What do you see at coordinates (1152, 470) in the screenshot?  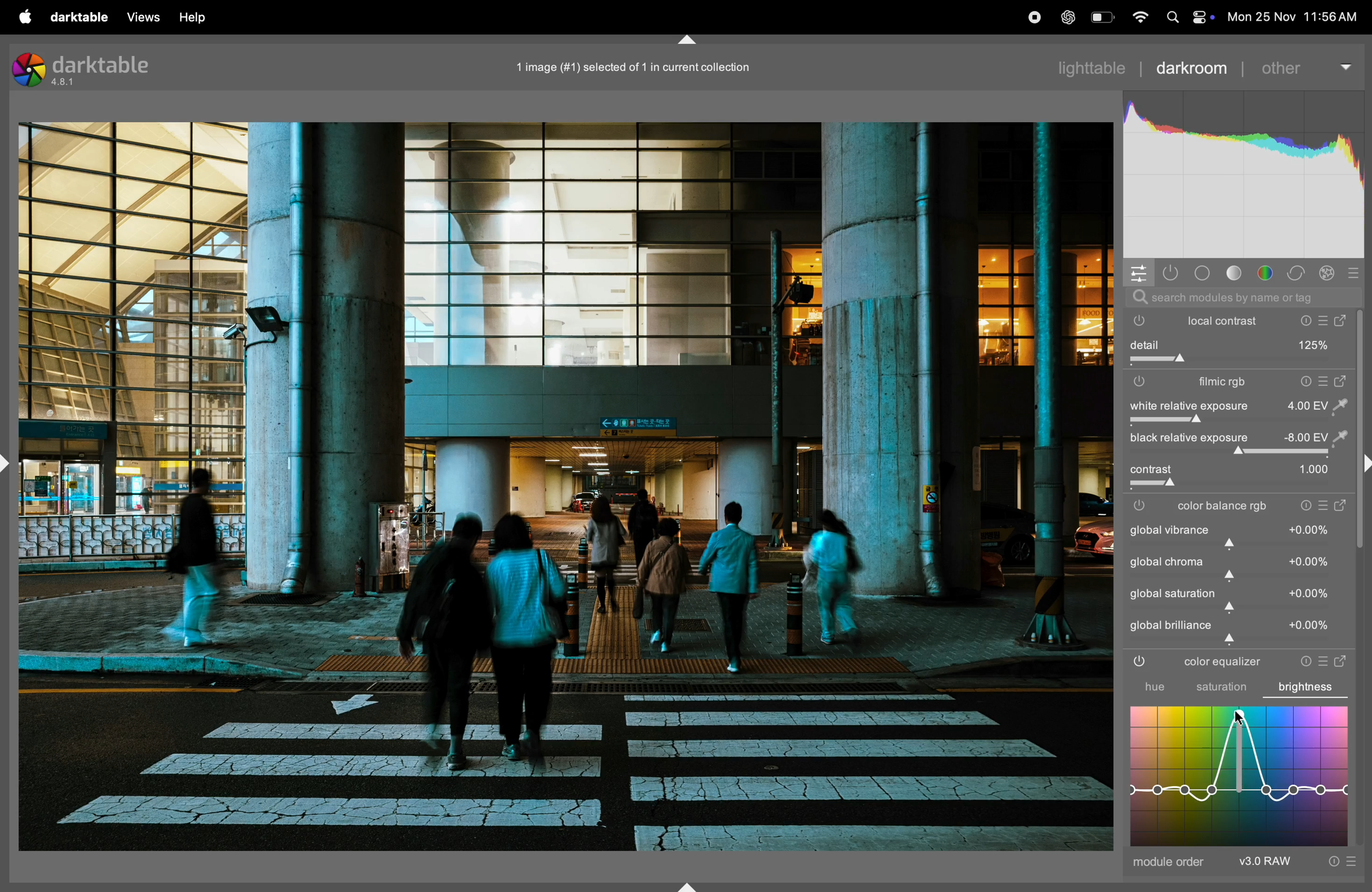 I see `toggle` at bounding box center [1152, 470].